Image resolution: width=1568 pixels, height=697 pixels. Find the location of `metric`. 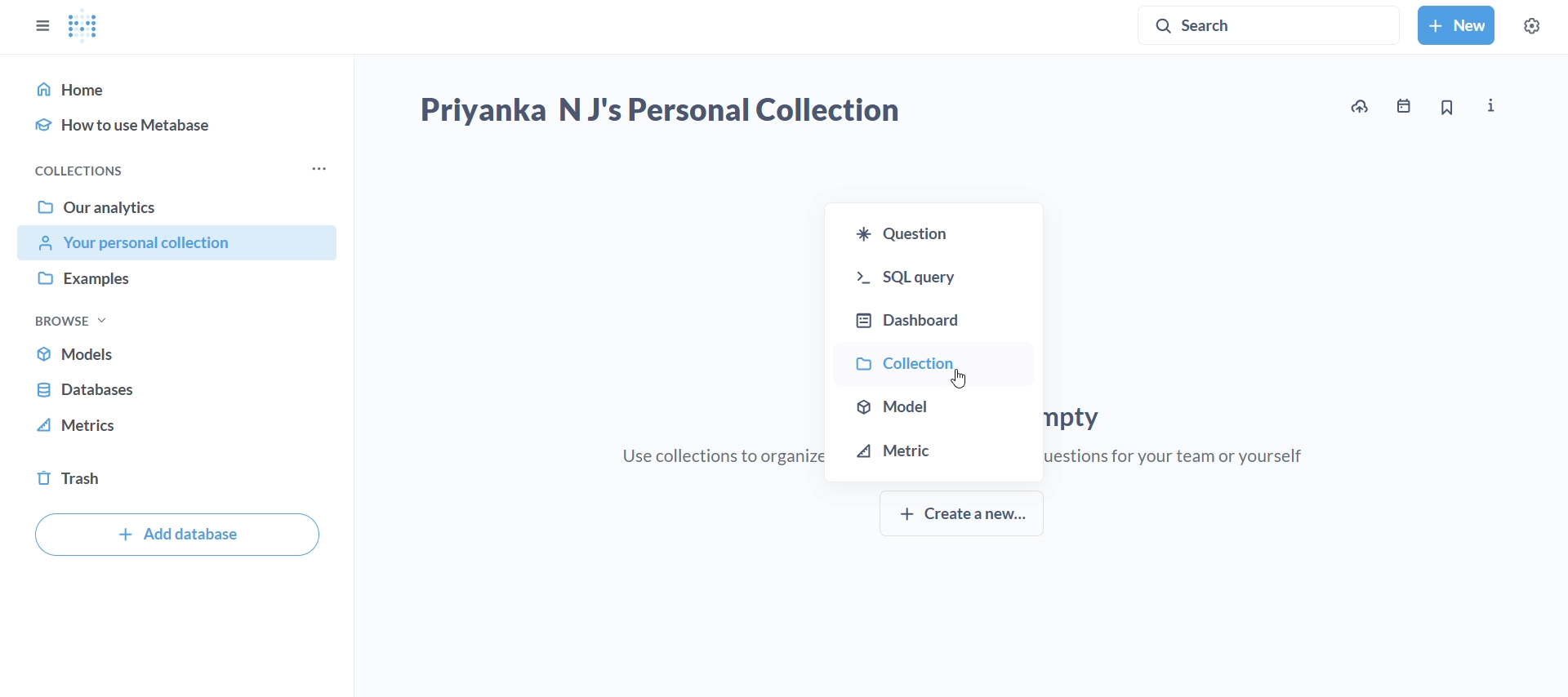

metric is located at coordinates (934, 453).